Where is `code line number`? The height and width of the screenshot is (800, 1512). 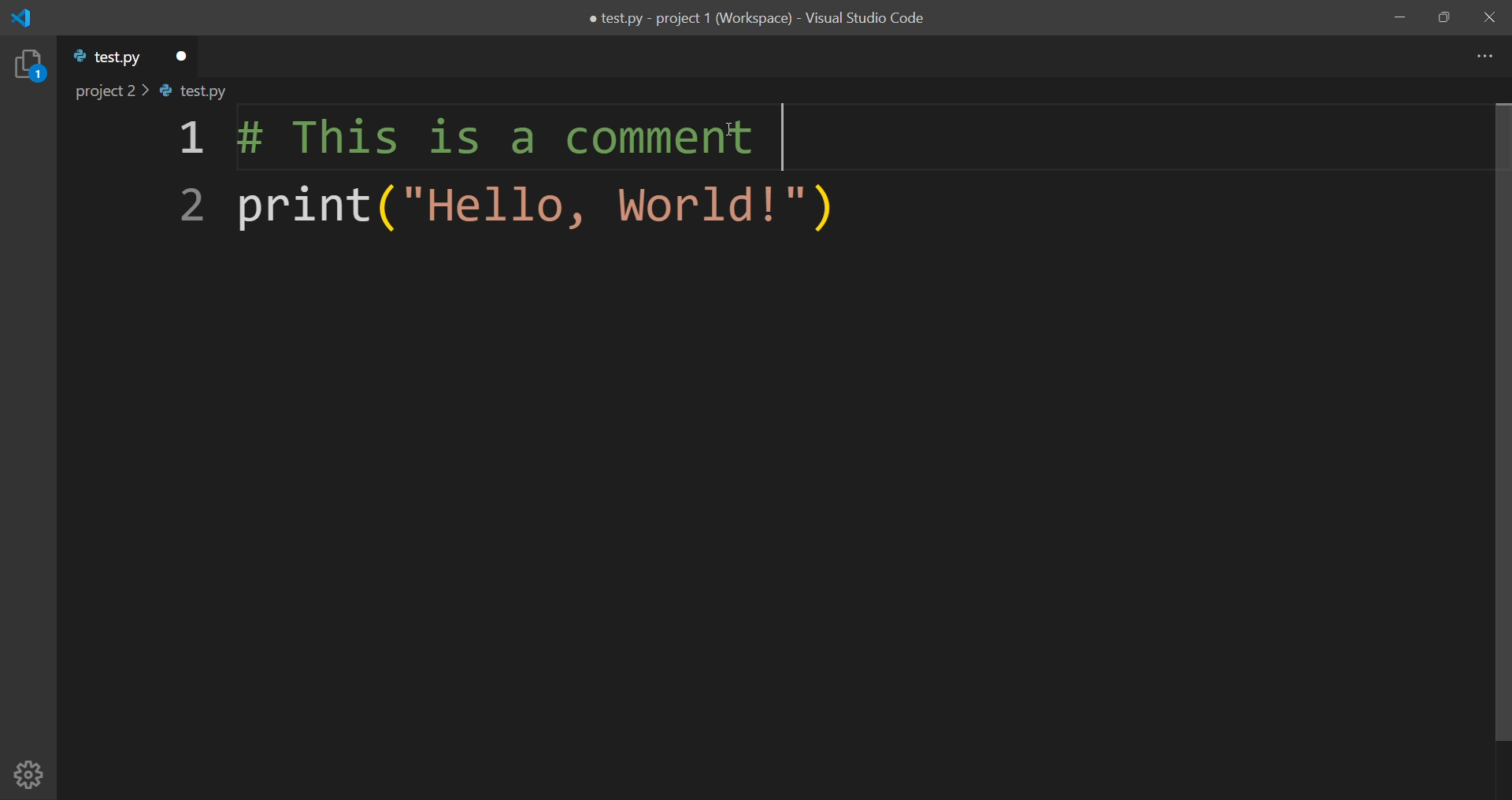
code line number is located at coordinates (183, 176).